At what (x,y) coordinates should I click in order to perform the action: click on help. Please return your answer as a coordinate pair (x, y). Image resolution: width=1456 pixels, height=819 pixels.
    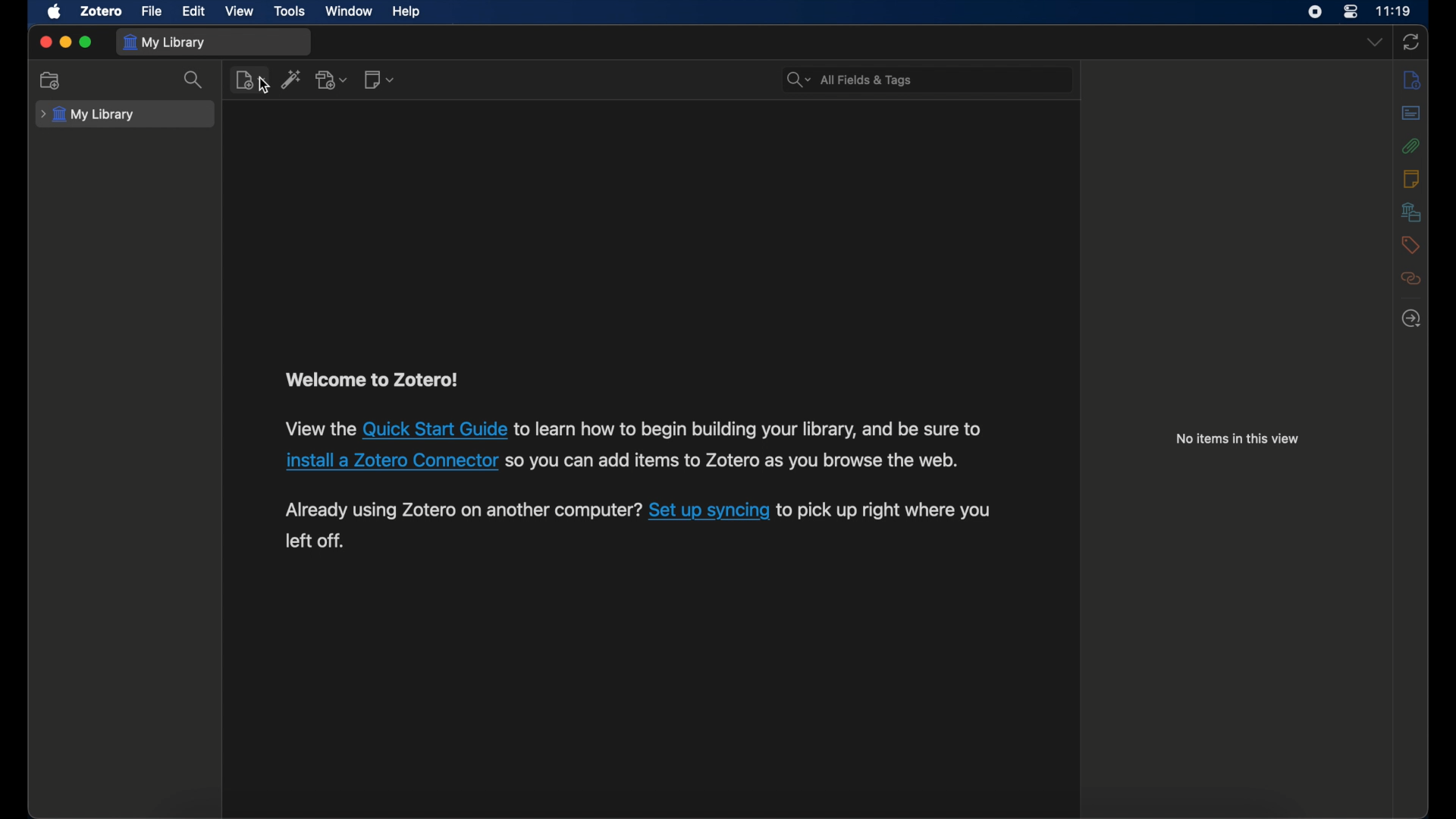
    Looking at the image, I should click on (406, 12).